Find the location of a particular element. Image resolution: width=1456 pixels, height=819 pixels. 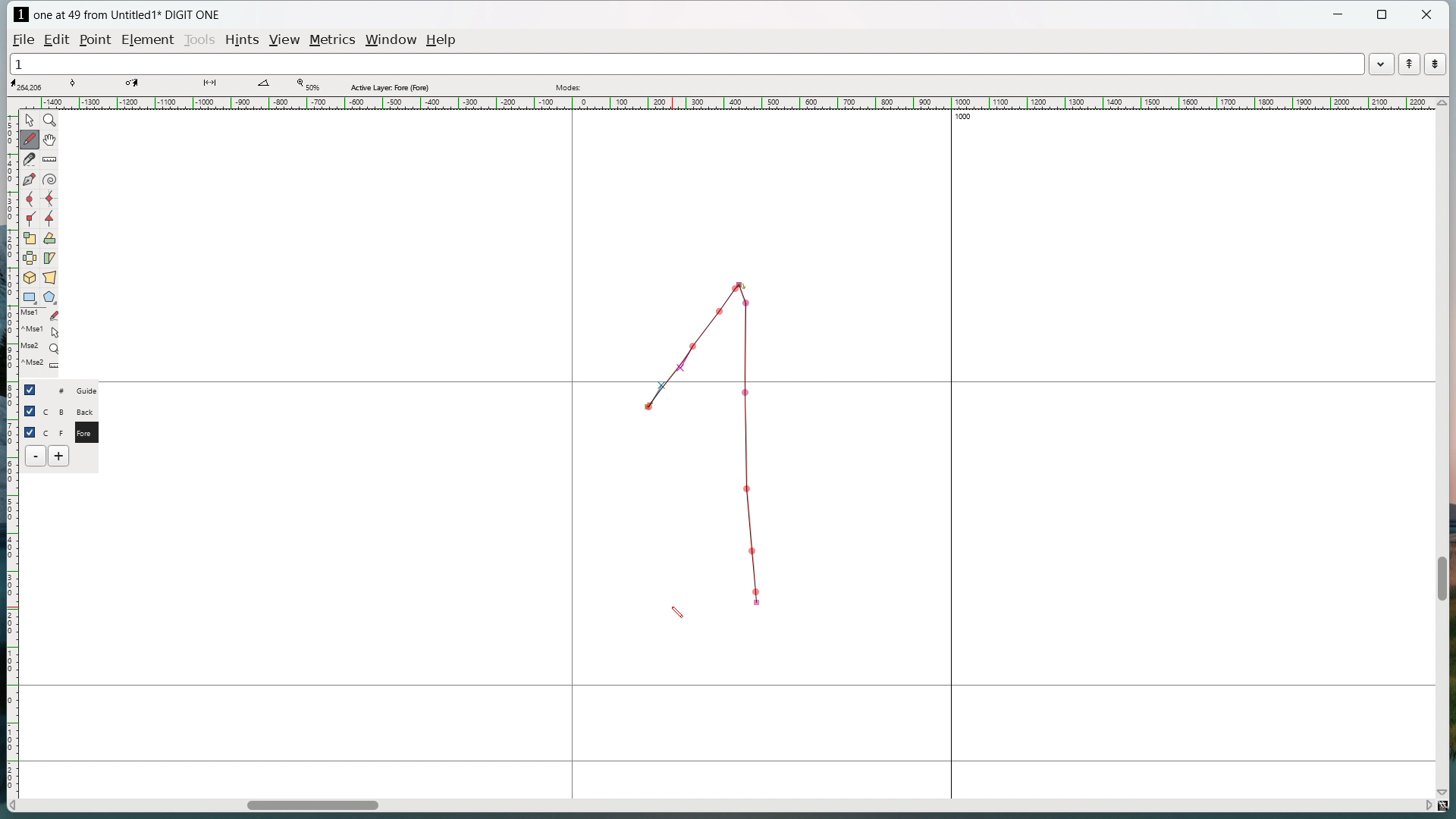

view is located at coordinates (286, 40).